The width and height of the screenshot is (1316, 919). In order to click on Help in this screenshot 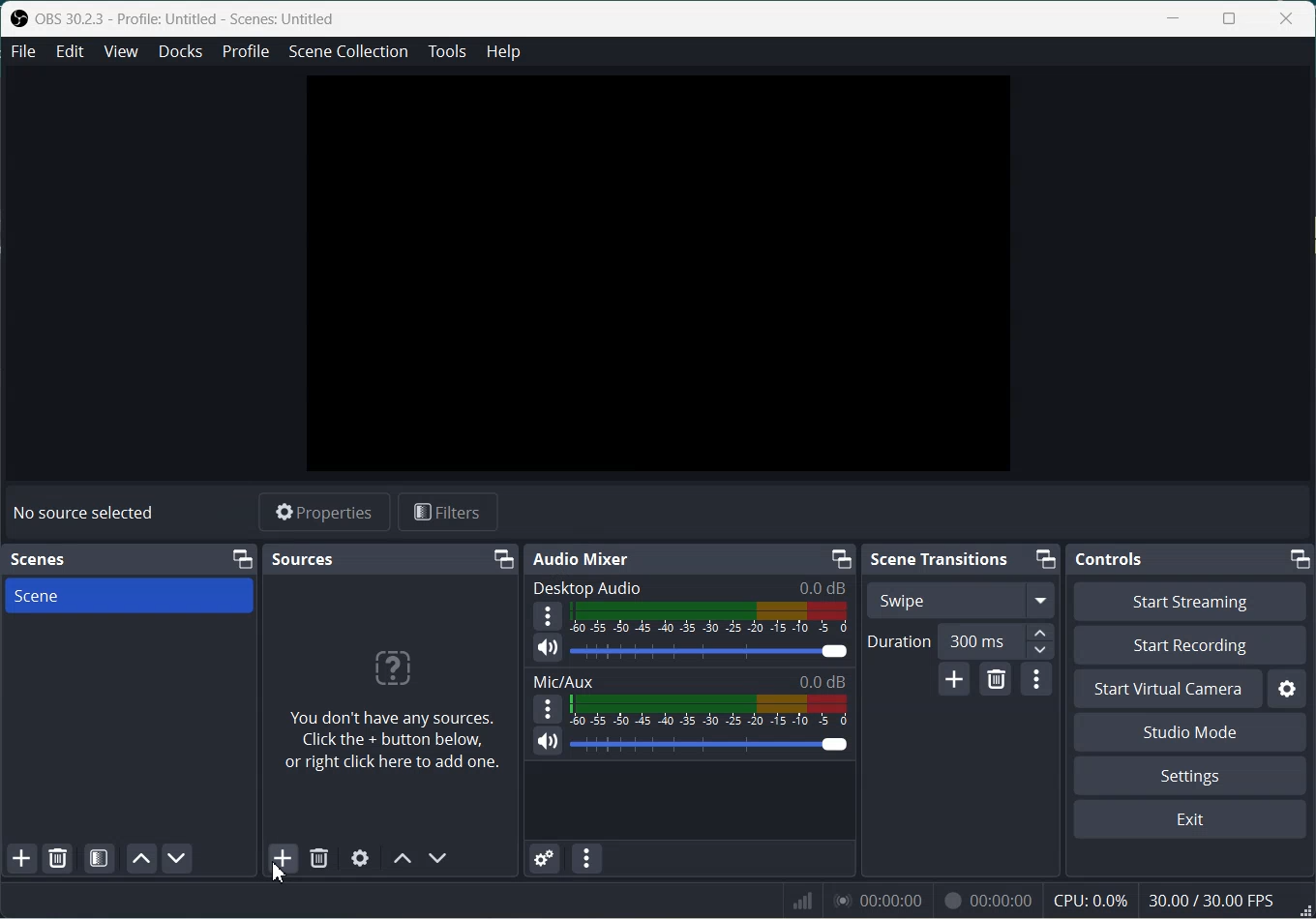, I will do `click(503, 52)`.